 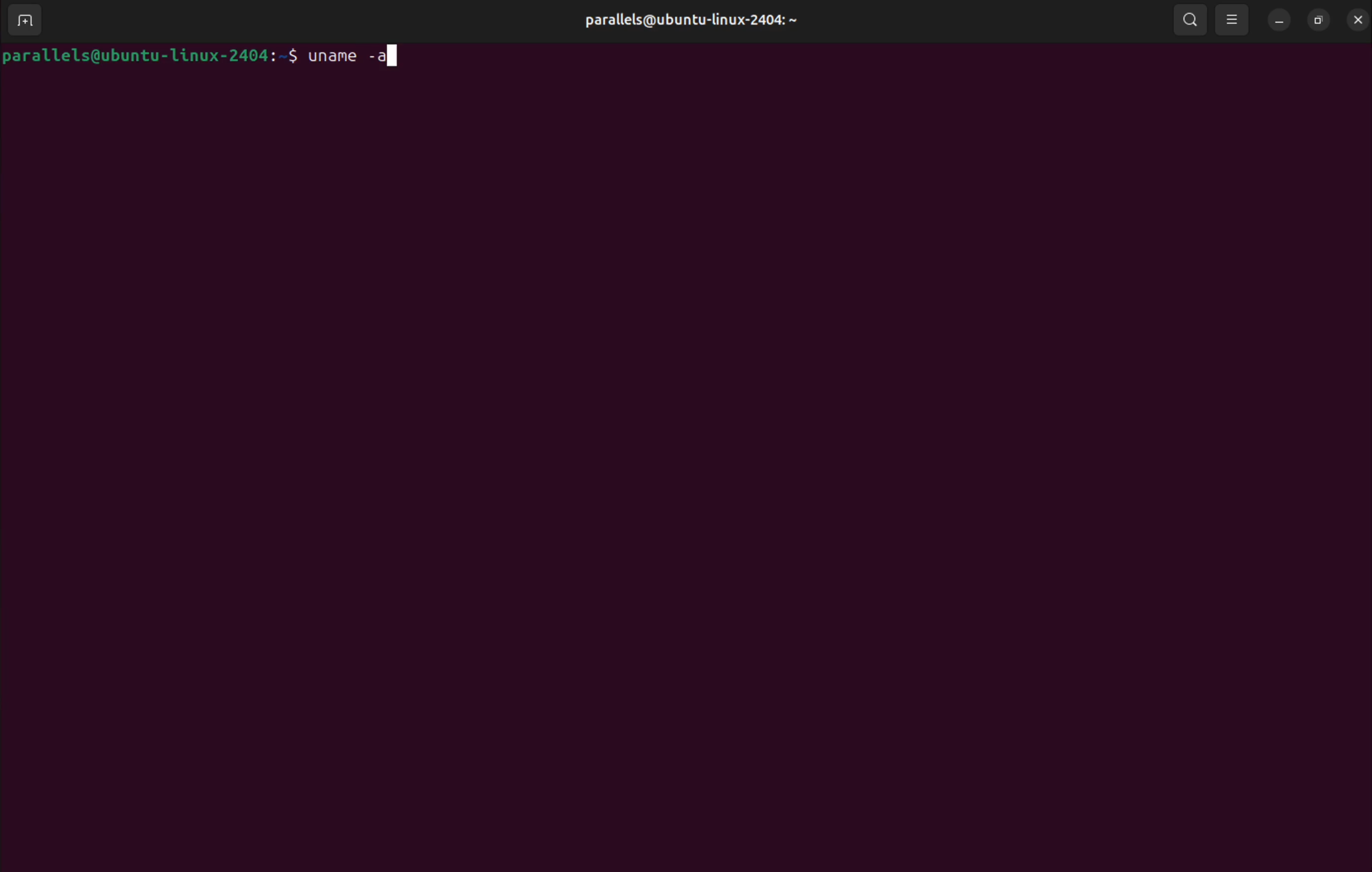 I want to click on minimize, so click(x=1280, y=20).